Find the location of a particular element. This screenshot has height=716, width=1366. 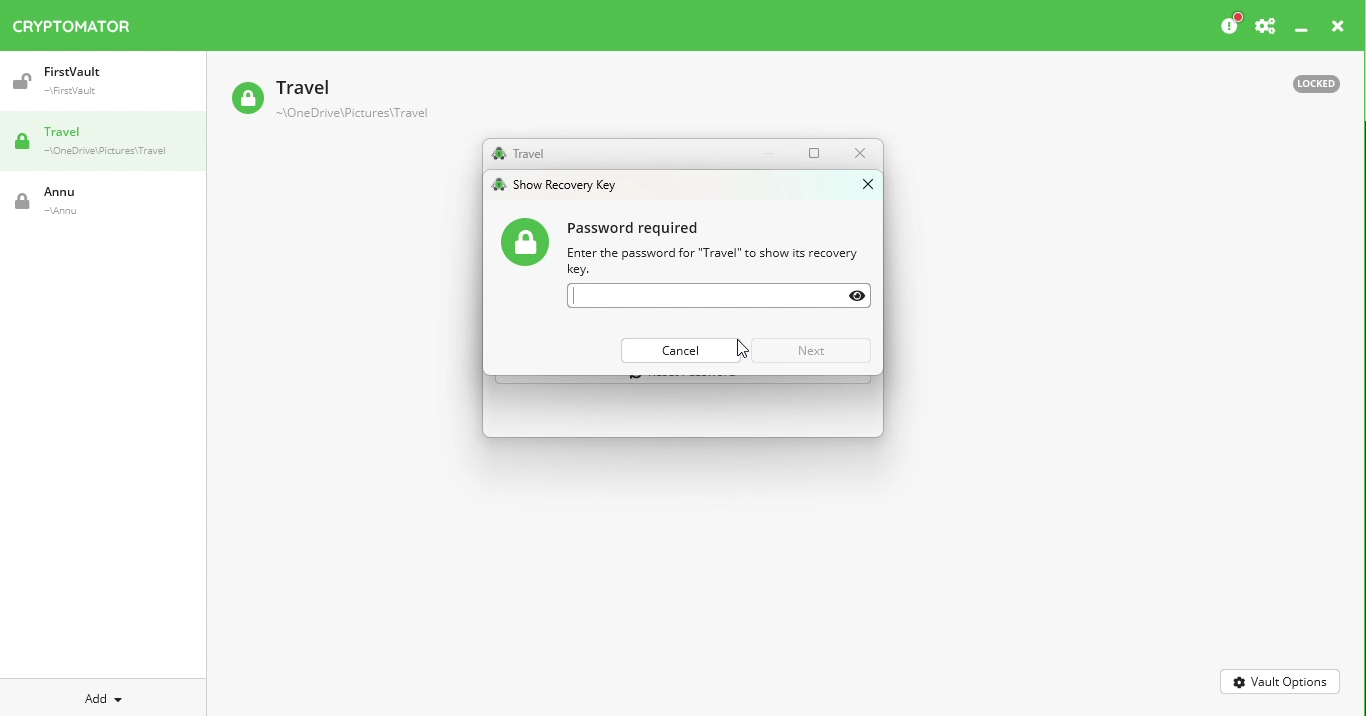

Locked is located at coordinates (1307, 82).